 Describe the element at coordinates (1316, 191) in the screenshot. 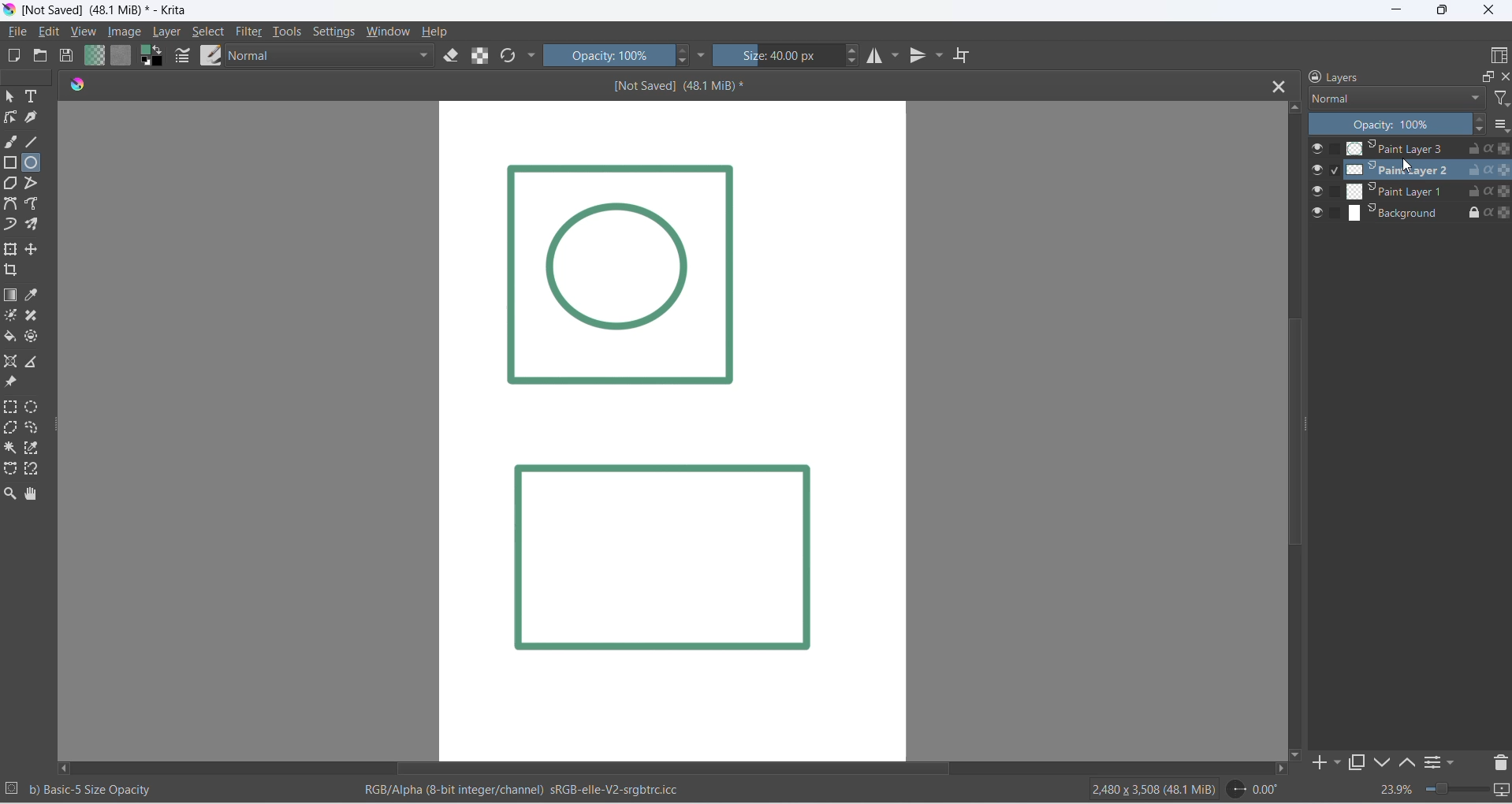

I see `visibilty` at that location.